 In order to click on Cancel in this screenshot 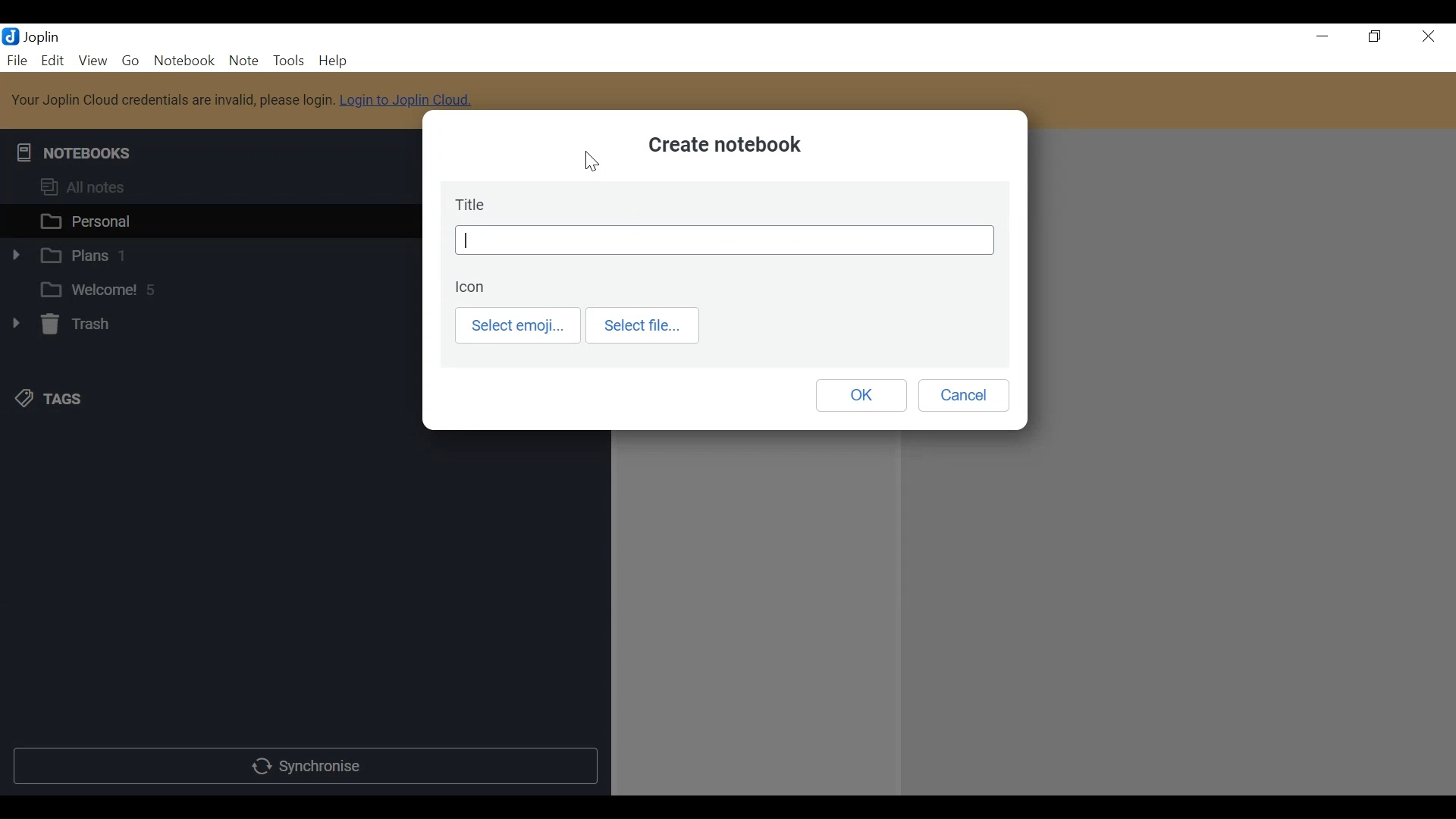, I will do `click(963, 395)`.